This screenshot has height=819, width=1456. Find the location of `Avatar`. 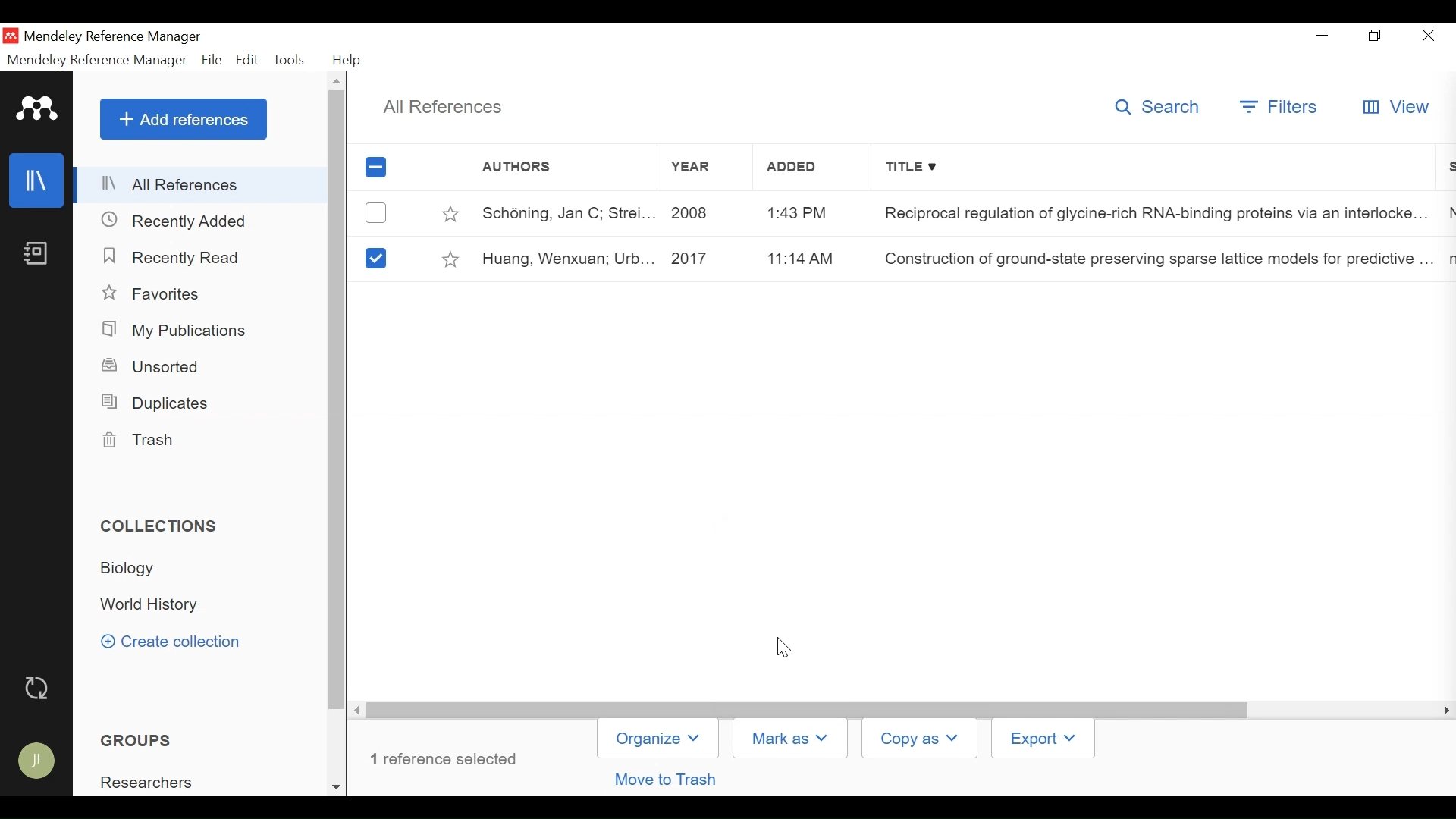

Avatar is located at coordinates (38, 759).